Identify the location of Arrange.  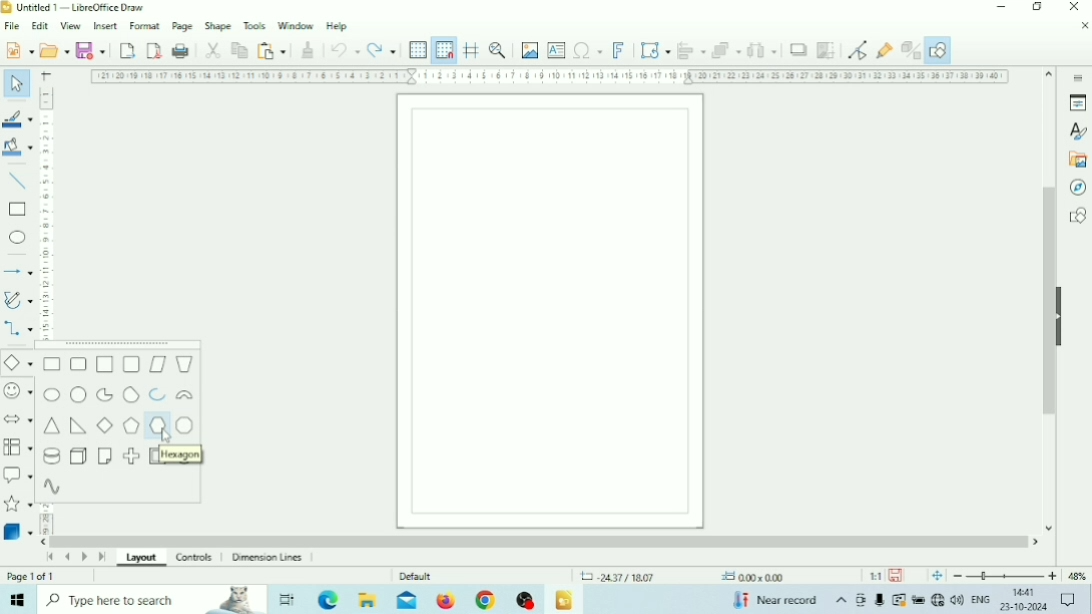
(726, 50).